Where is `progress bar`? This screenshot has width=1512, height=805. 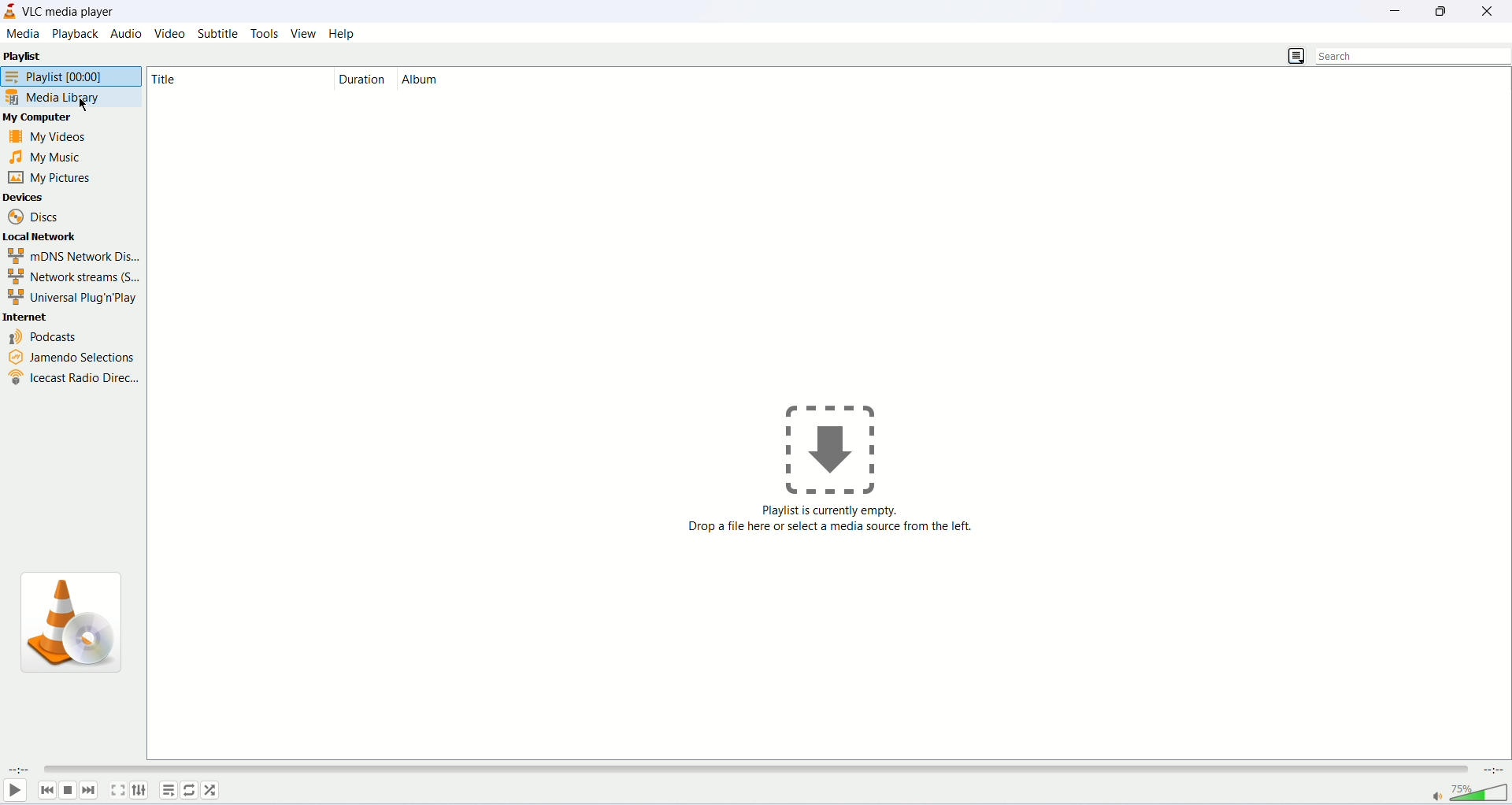 progress bar is located at coordinates (760, 768).